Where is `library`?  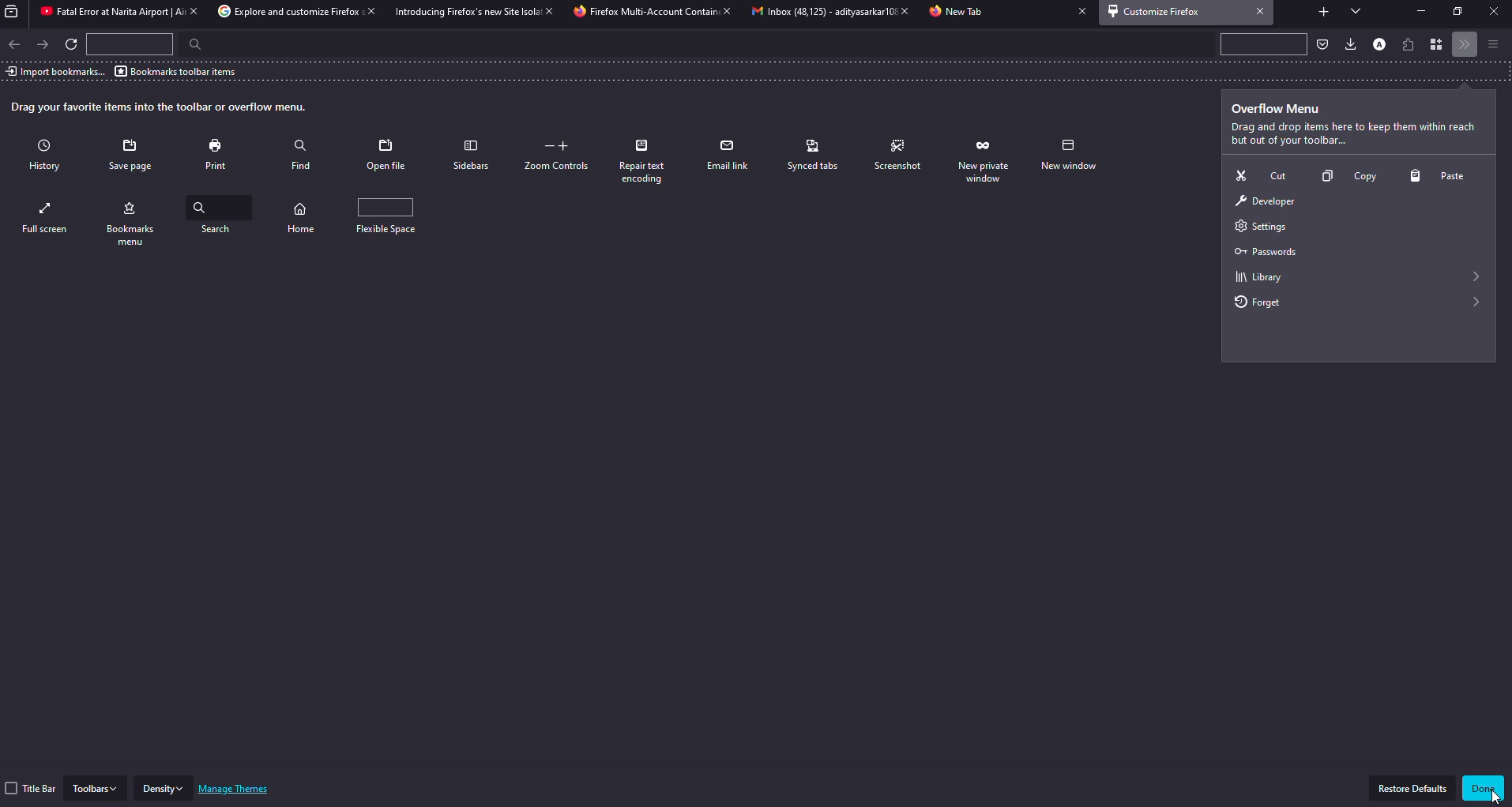 library is located at coordinates (1257, 276).